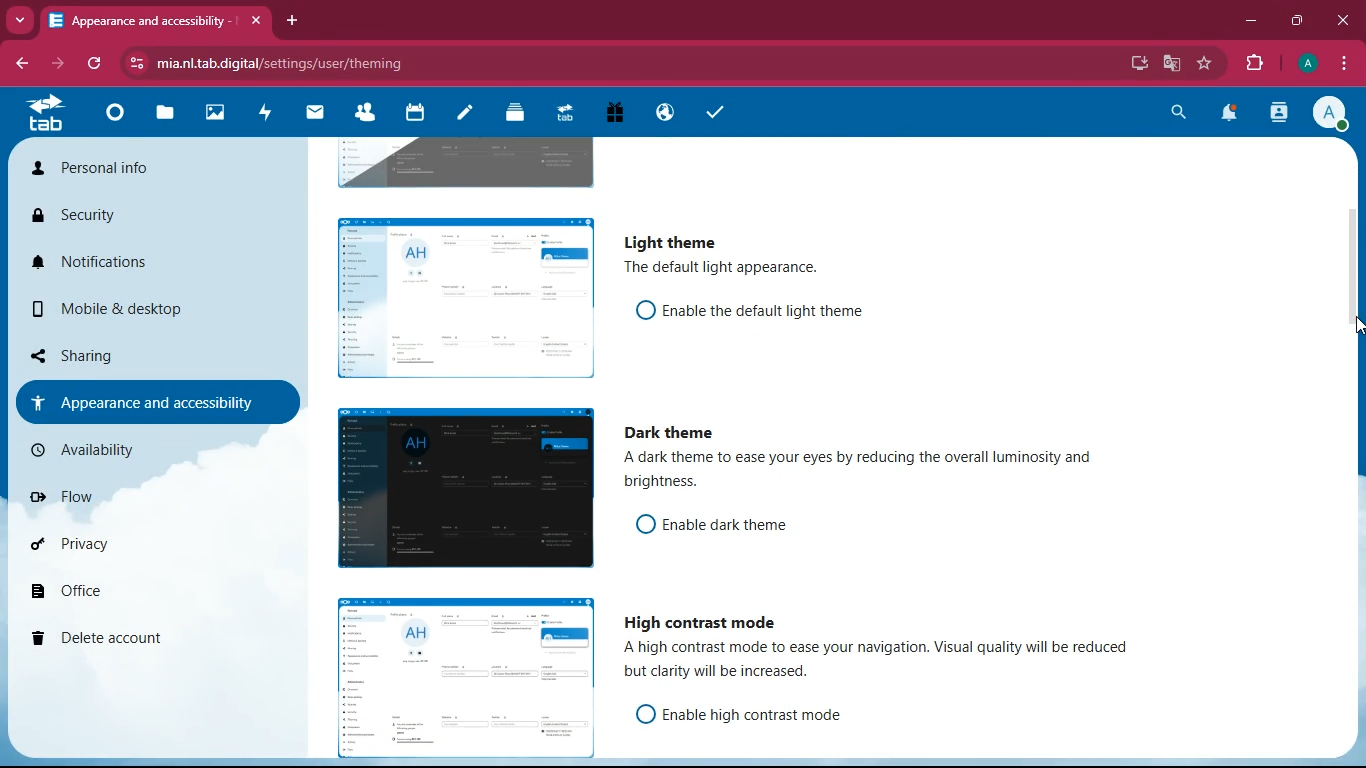 Image resolution: width=1366 pixels, height=768 pixels. Describe the element at coordinates (1298, 22) in the screenshot. I see `maximize` at that location.